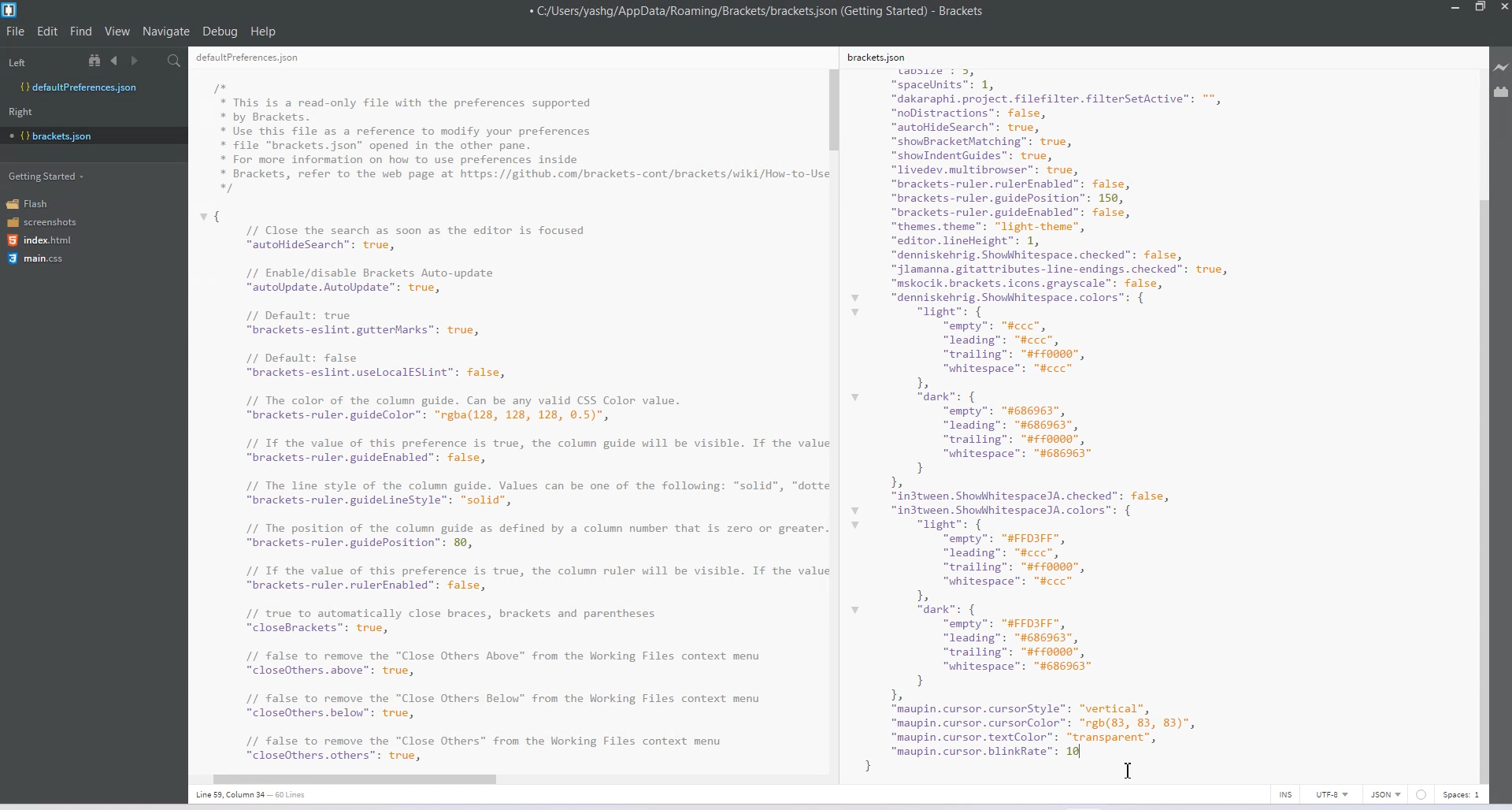 The height and width of the screenshot is (810, 1512). I want to click on Maximize, so click(1480, 8).